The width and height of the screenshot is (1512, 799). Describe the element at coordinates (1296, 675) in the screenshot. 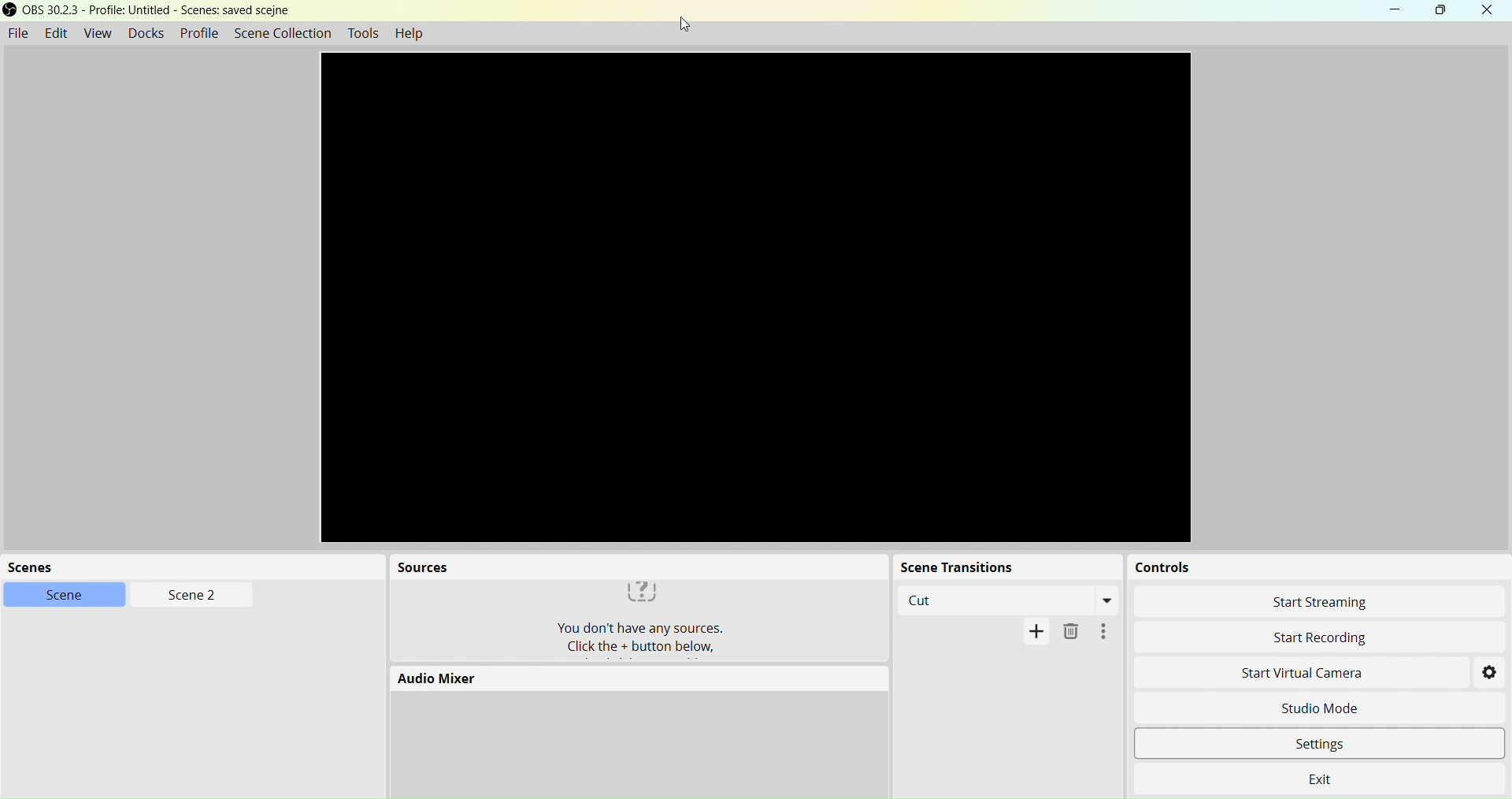

I see `Start Virtual Camera` at that location.